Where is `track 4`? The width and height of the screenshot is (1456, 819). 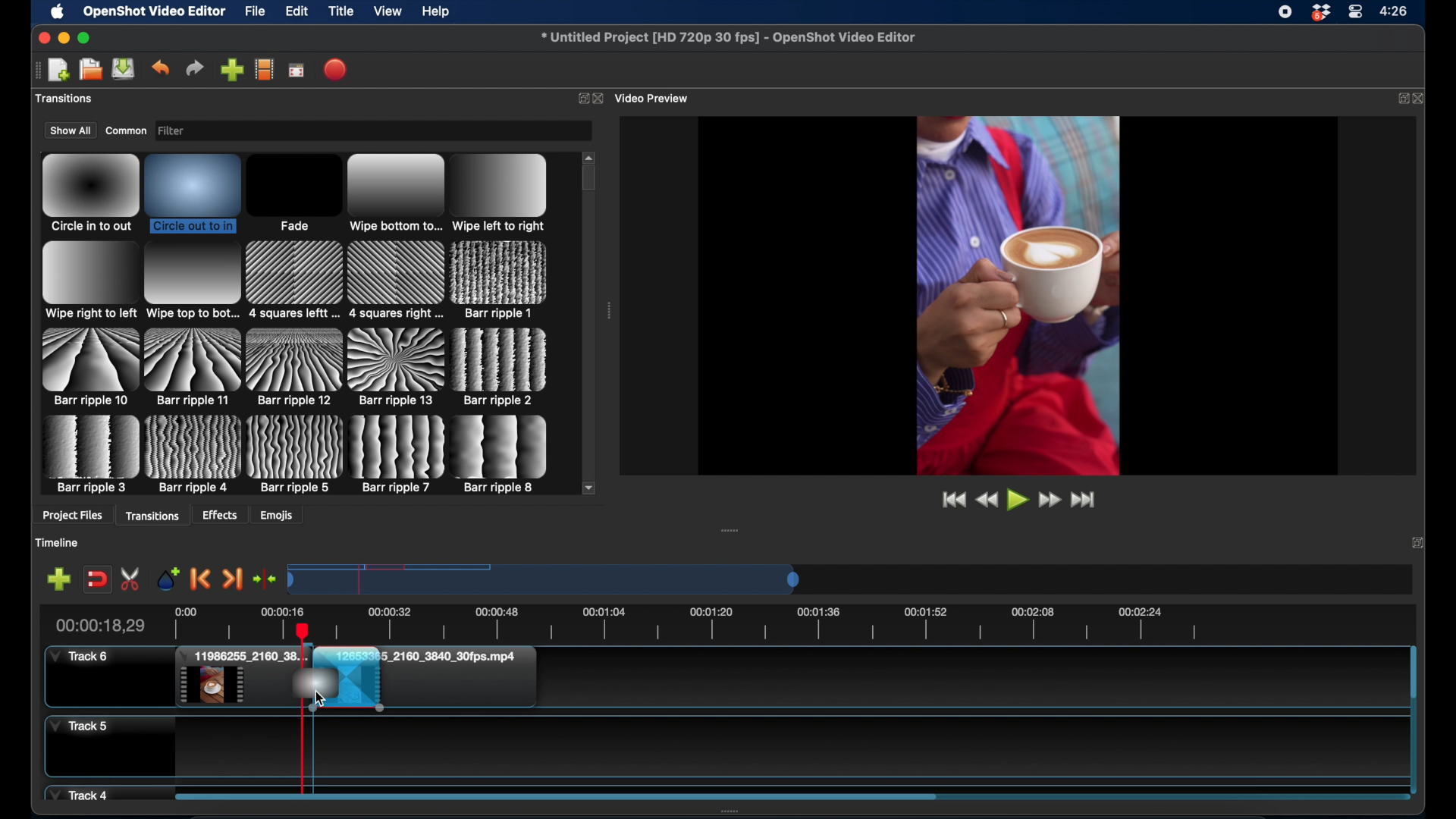
track 4 is located at coordinates (81, 793).